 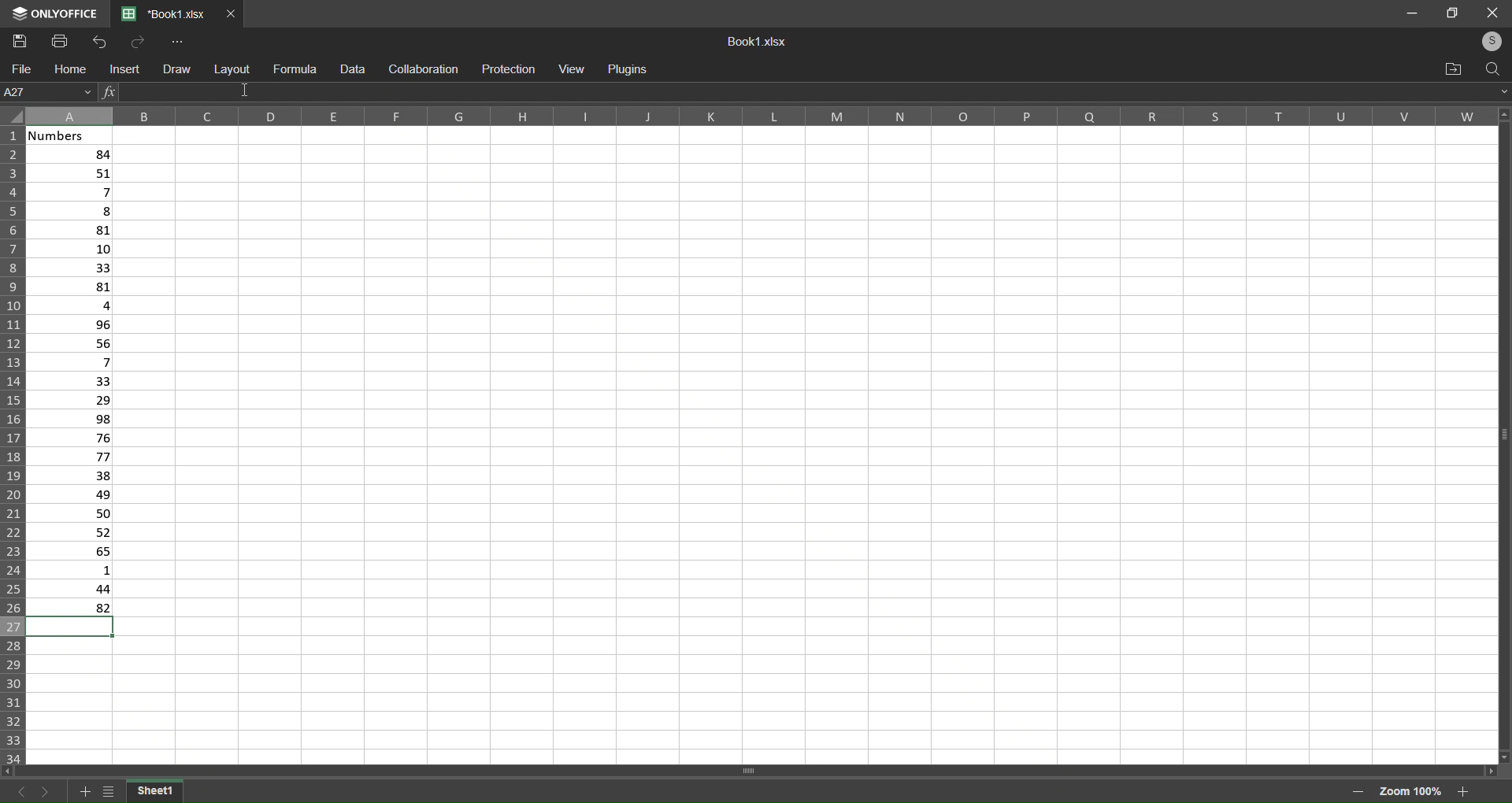 What do you see at coordinates (1502, 755) in the screenshot?
I see `move down` at bounding box center [1502, 755].